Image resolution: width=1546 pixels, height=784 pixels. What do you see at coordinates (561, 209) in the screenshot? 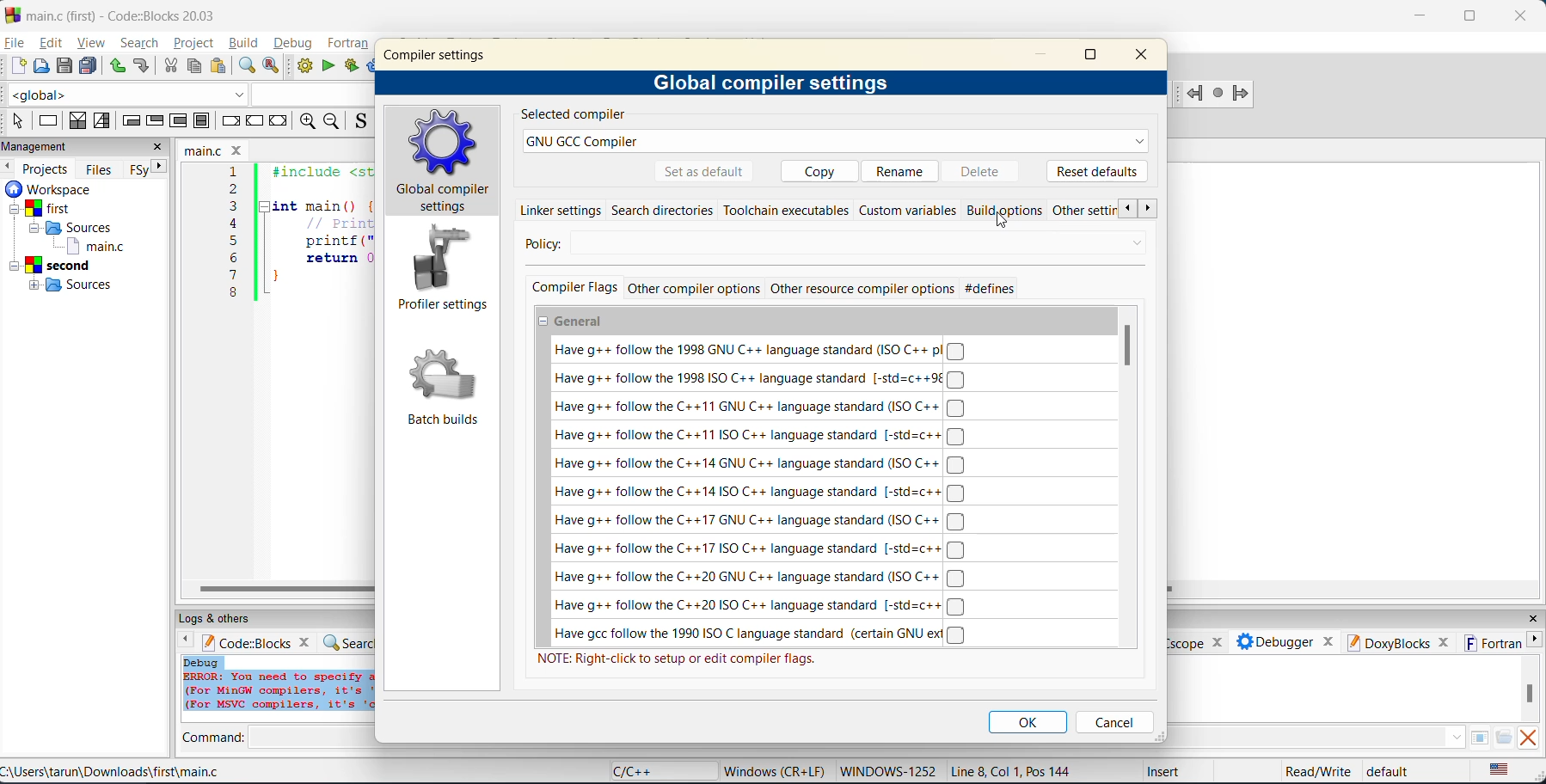
I see `linker settings` at bounding box center [561, 209].